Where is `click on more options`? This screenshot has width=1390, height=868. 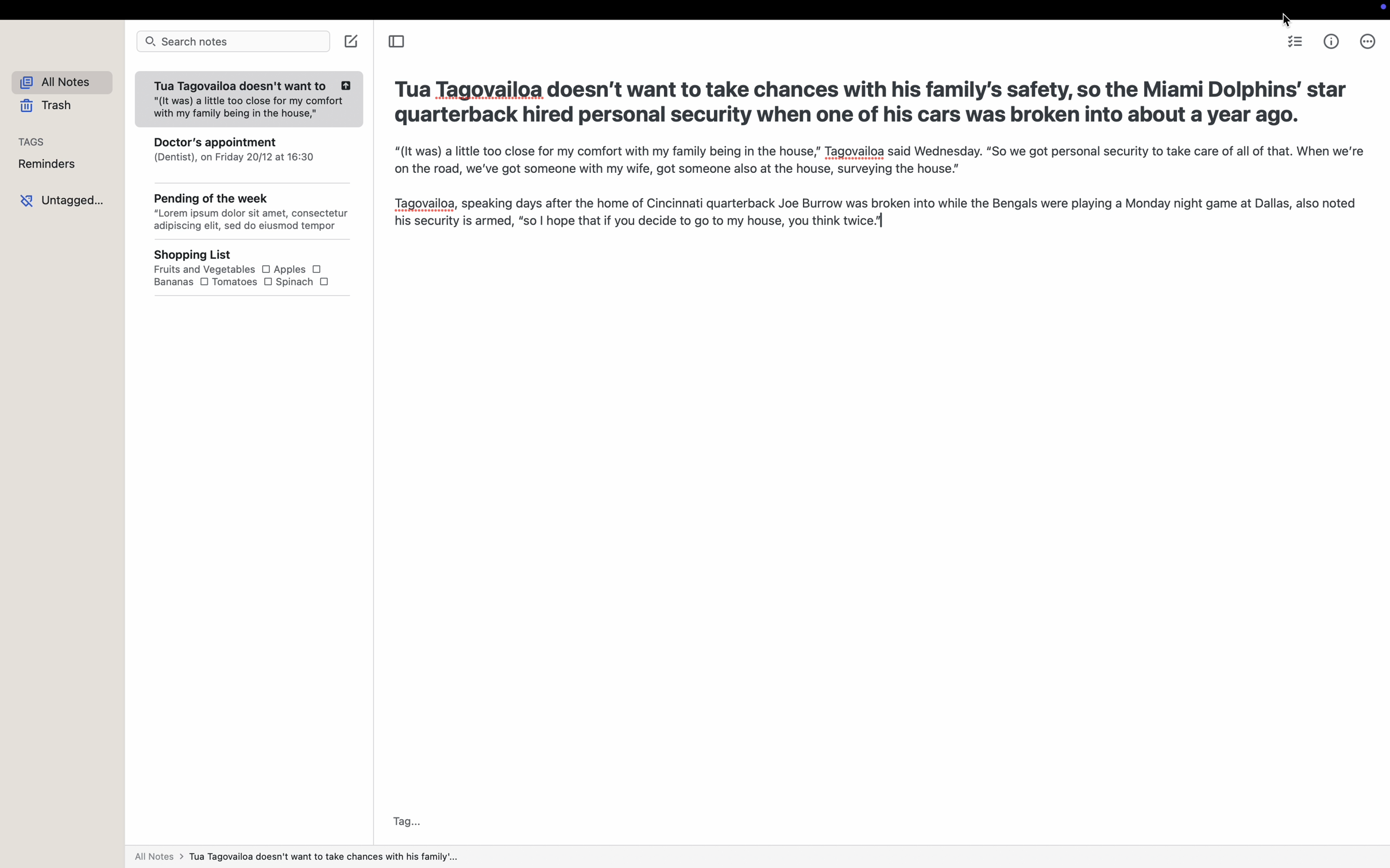 click on more options is located at coordinates (1365, 44).